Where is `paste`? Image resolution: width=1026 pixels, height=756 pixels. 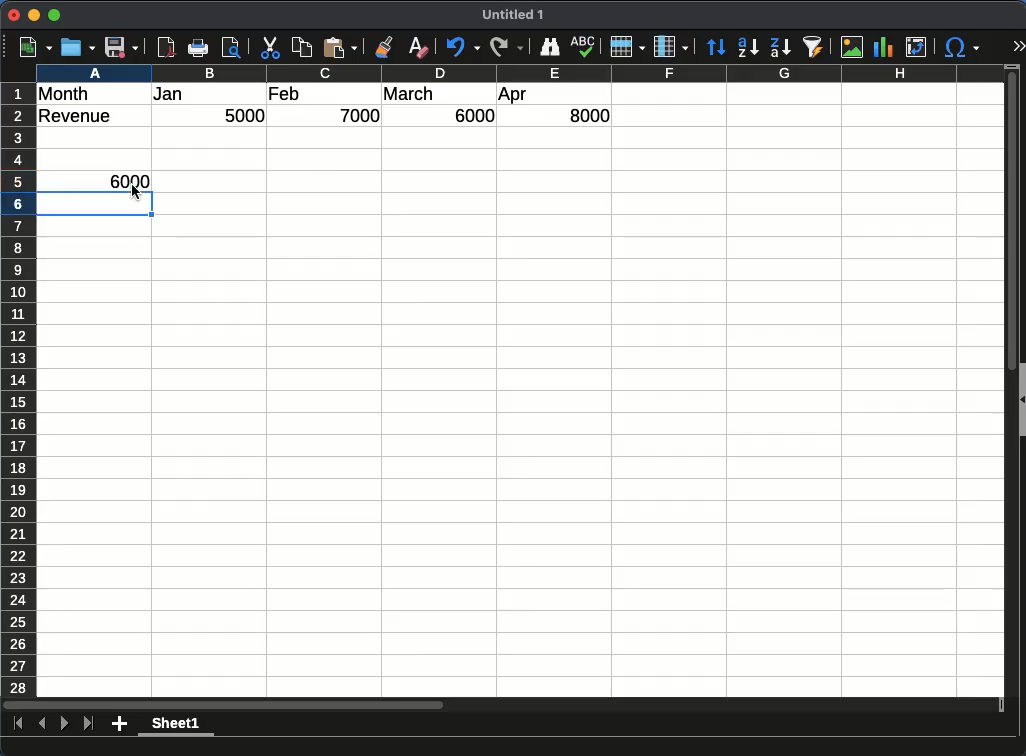
paste is located at coordinates (340, 47).